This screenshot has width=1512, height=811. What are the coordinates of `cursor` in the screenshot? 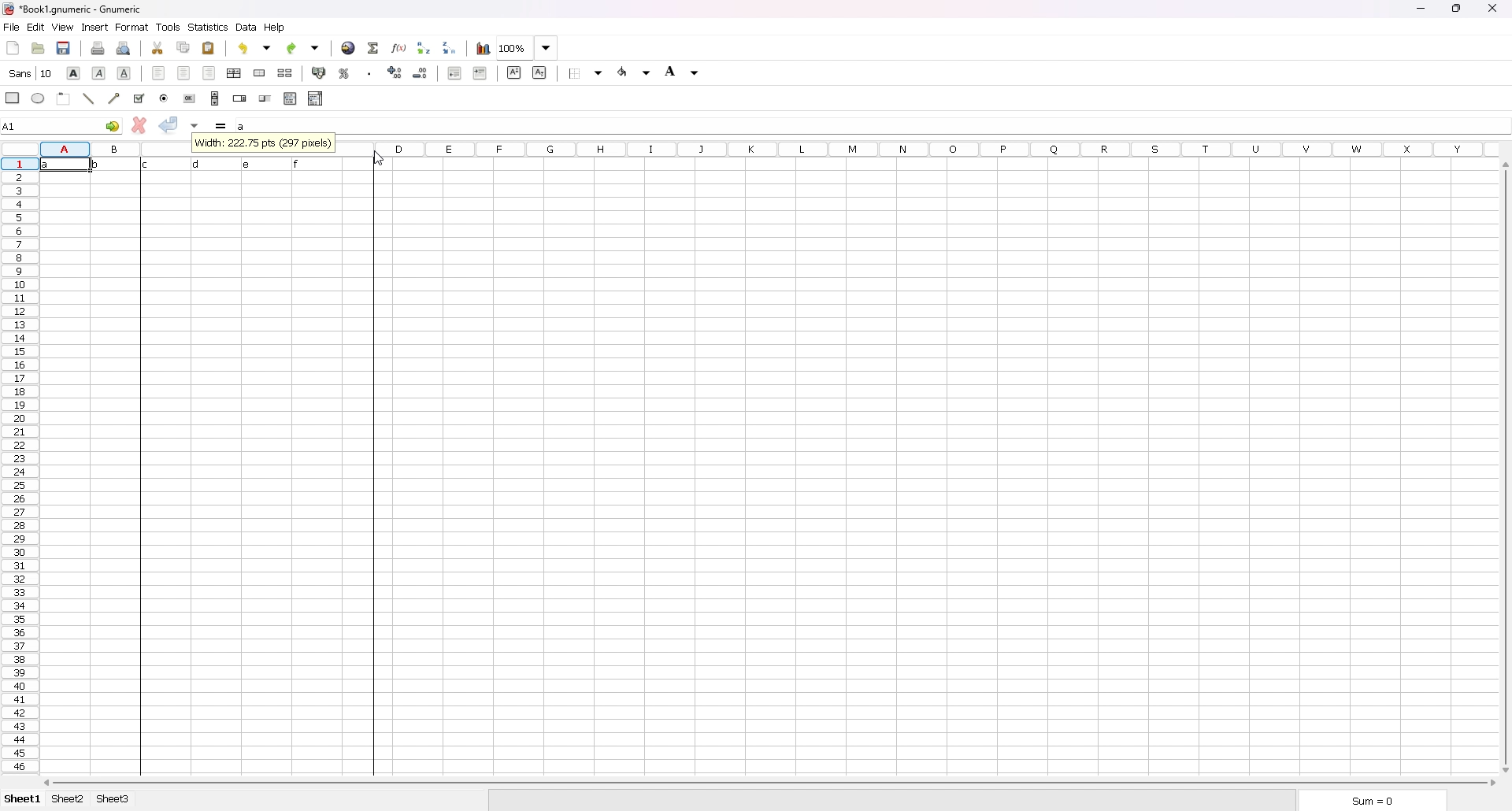 It's located at (377, 158).